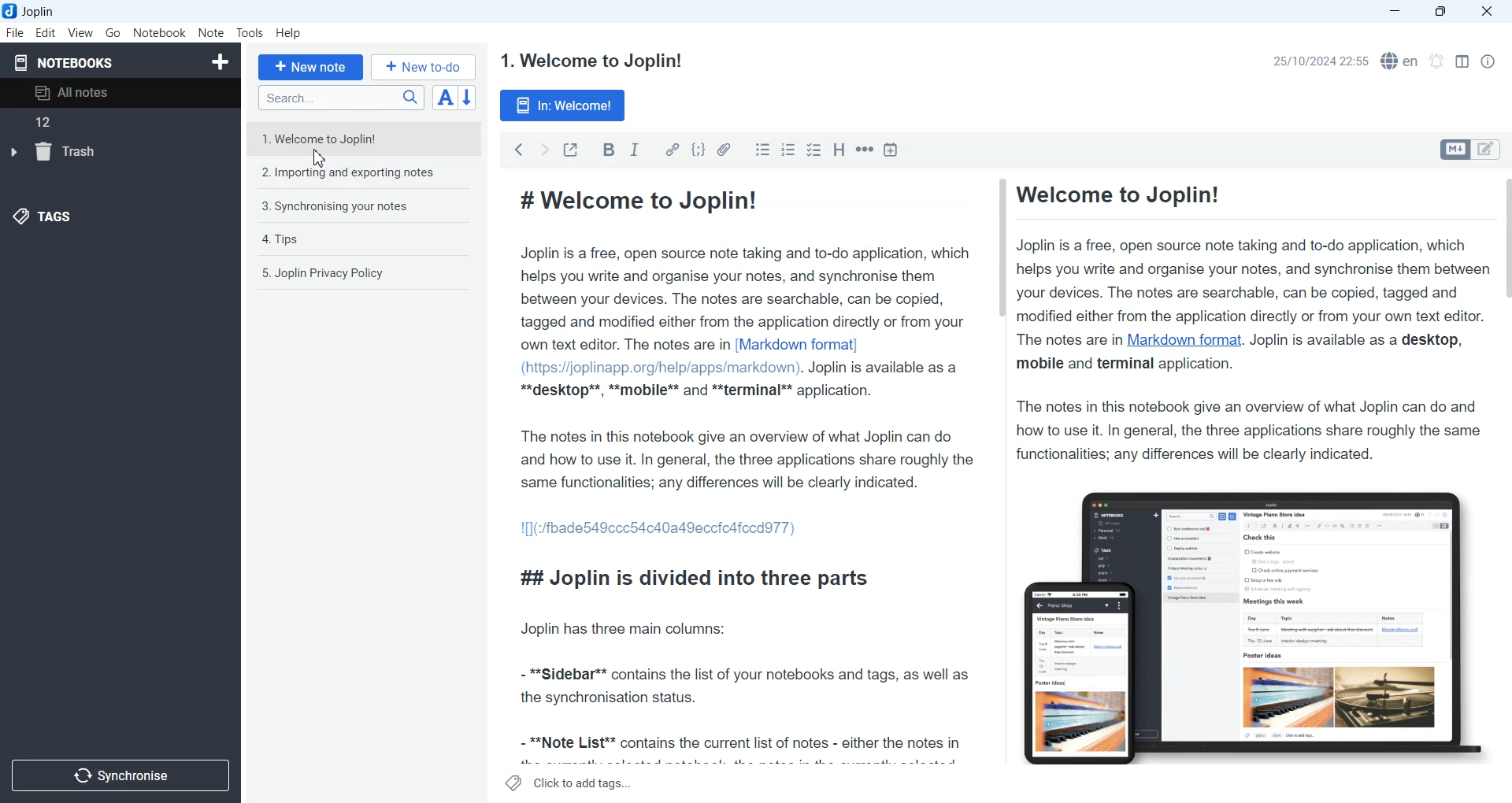  What do you see at coordinates (672, 150) in the screenshot?
I see `Hyperlink` at bounding box center [672, 150].